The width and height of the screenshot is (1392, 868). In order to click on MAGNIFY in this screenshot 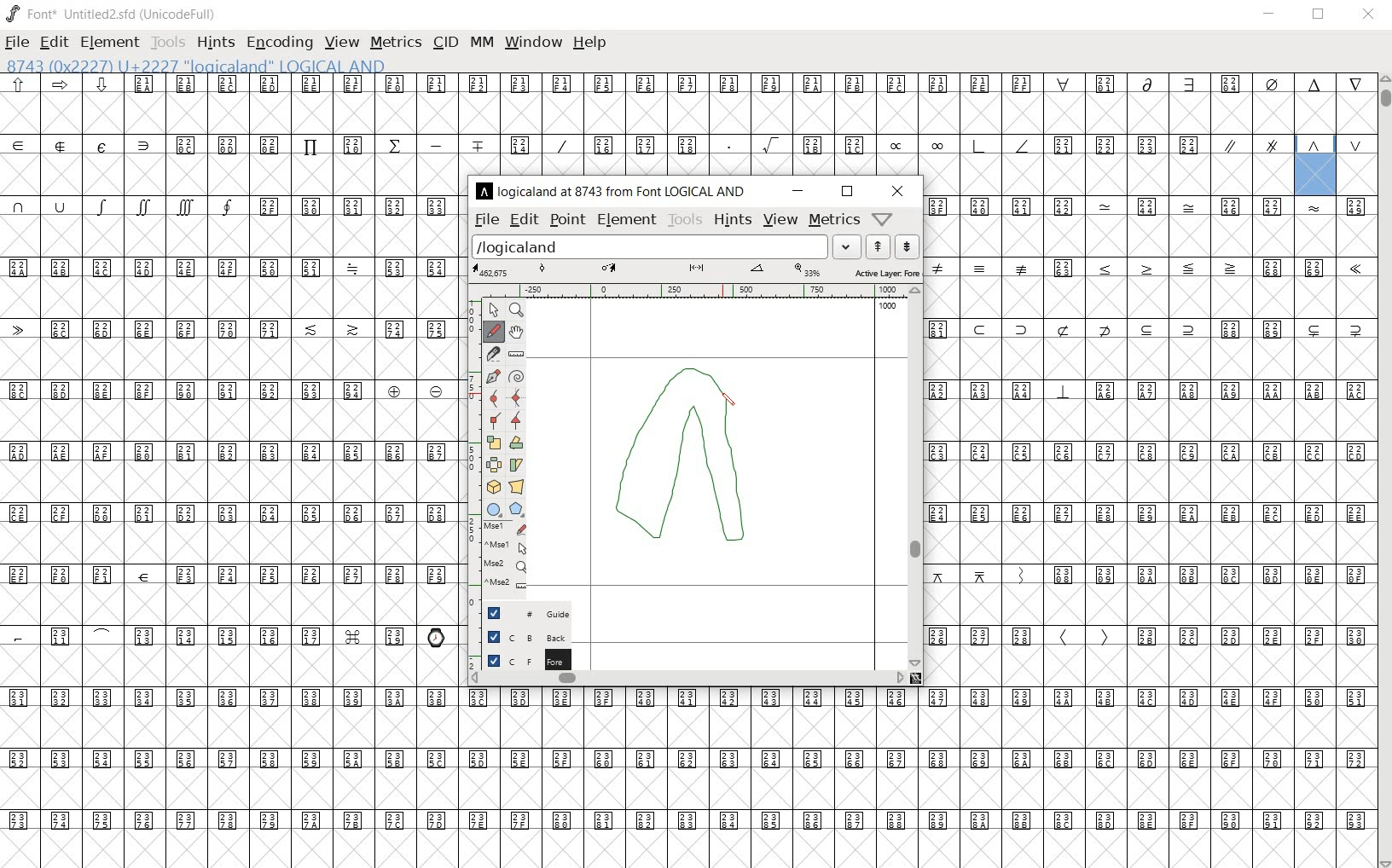, I will do `click(518, 311)`.